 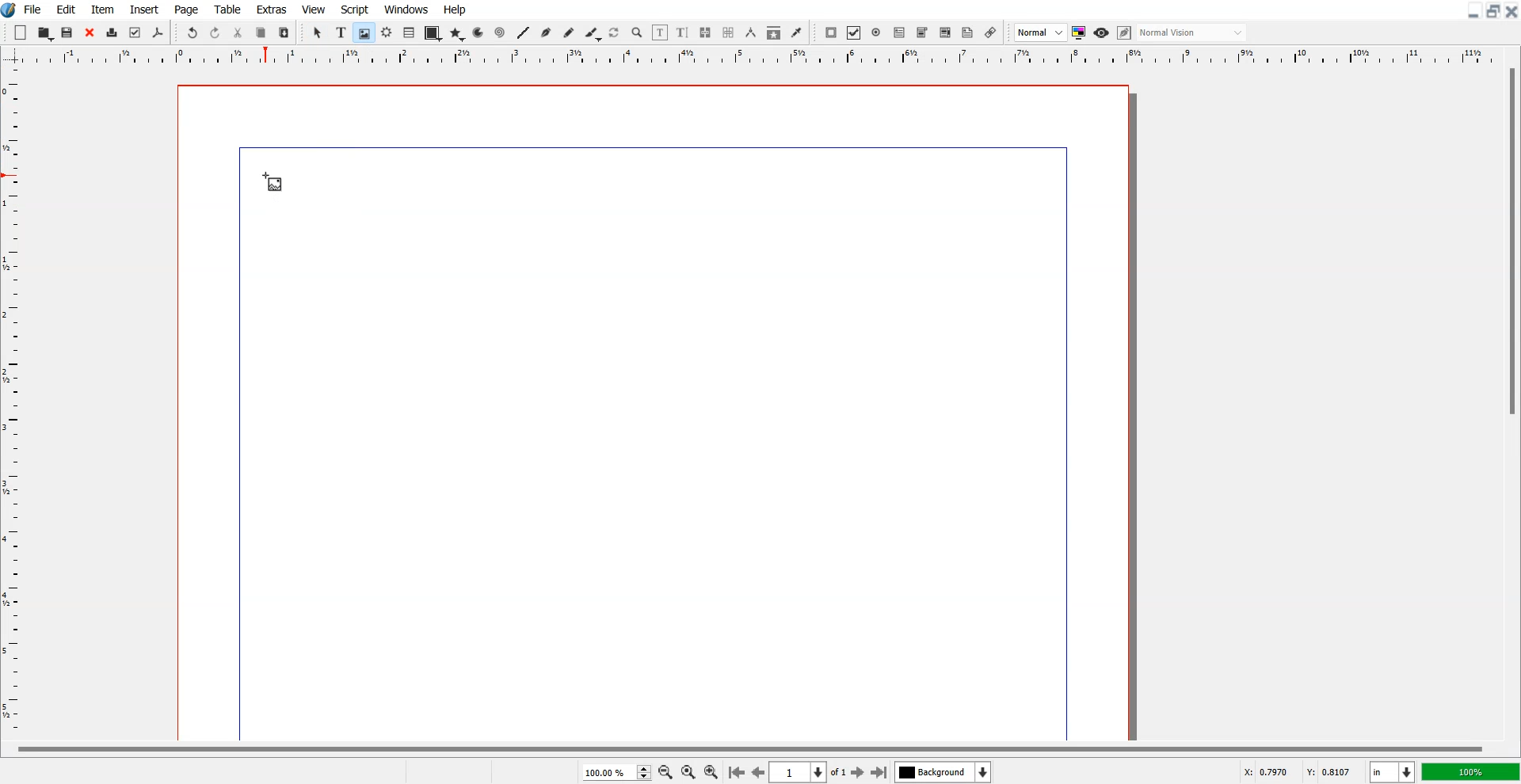 What do you see at coordinates (143, 9) in the screenshot?
I see `Insert` at bounding box center [143, 9].